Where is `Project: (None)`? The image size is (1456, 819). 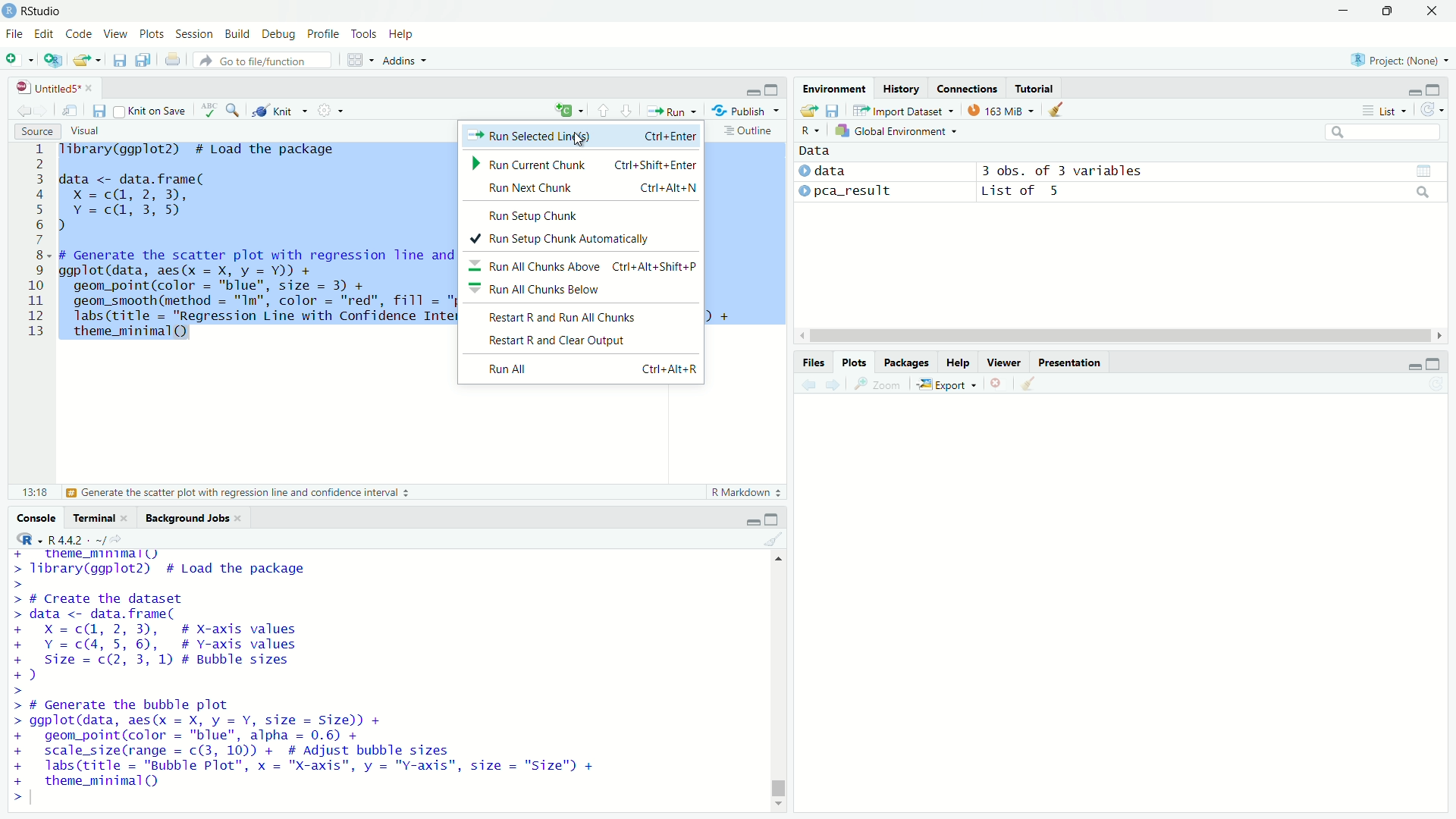
Project: (None) is located at coordinates (1398, 59).